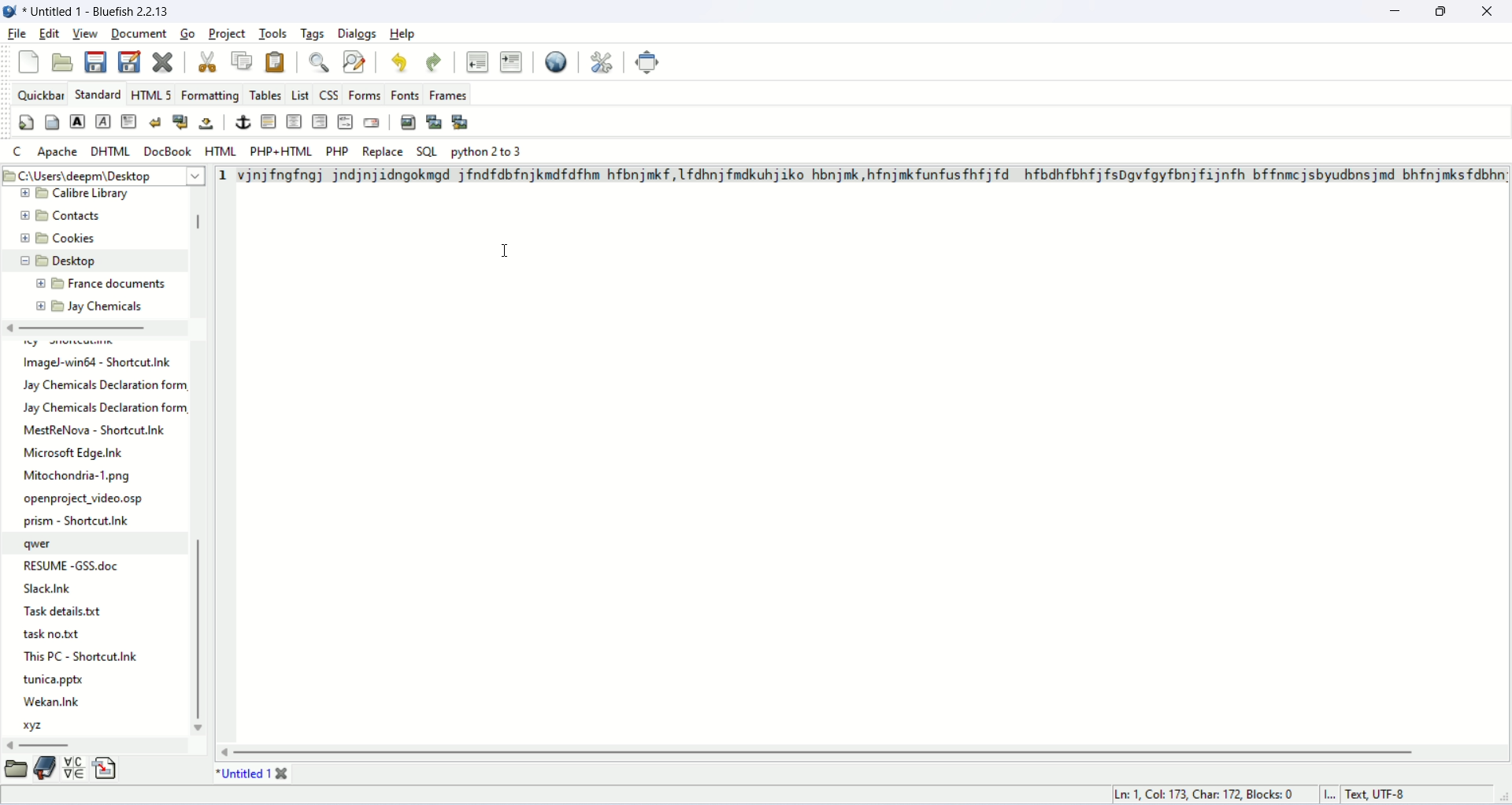 This screenshot has width=1512, height=805. I want to click on project, so click(228, 33).